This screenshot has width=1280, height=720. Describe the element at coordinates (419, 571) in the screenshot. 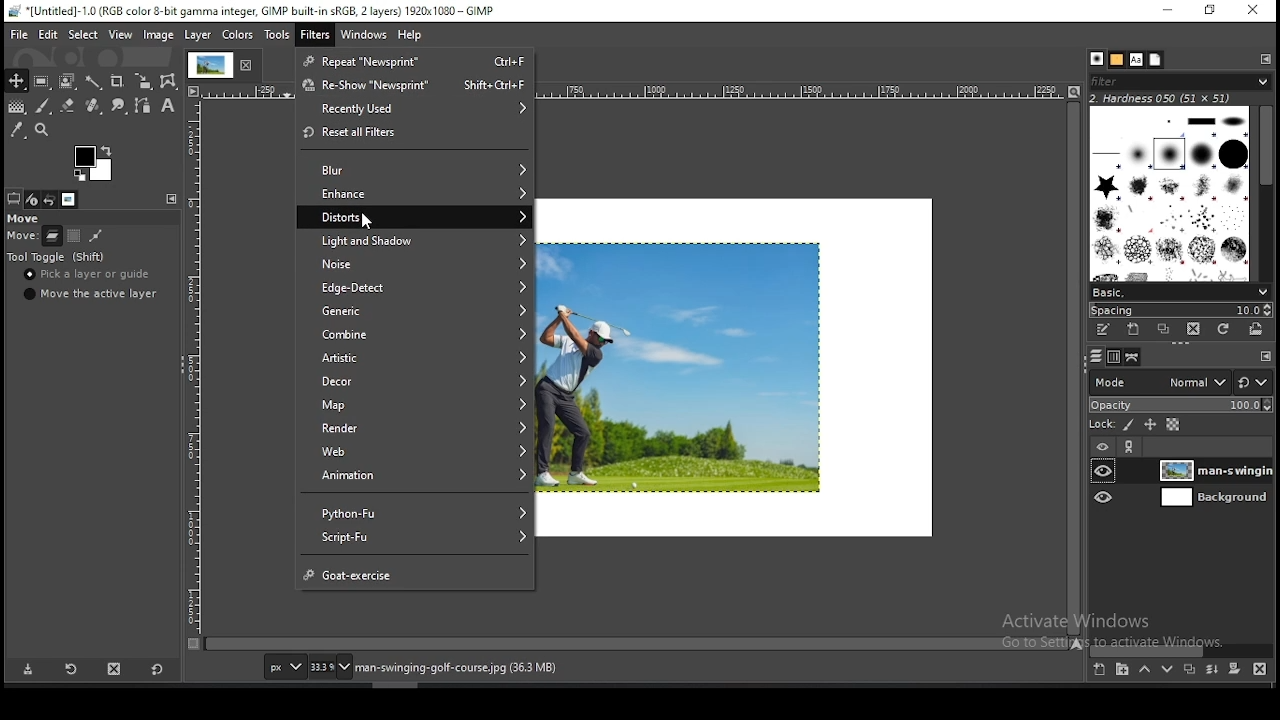

I see `goat exercise` at that location.